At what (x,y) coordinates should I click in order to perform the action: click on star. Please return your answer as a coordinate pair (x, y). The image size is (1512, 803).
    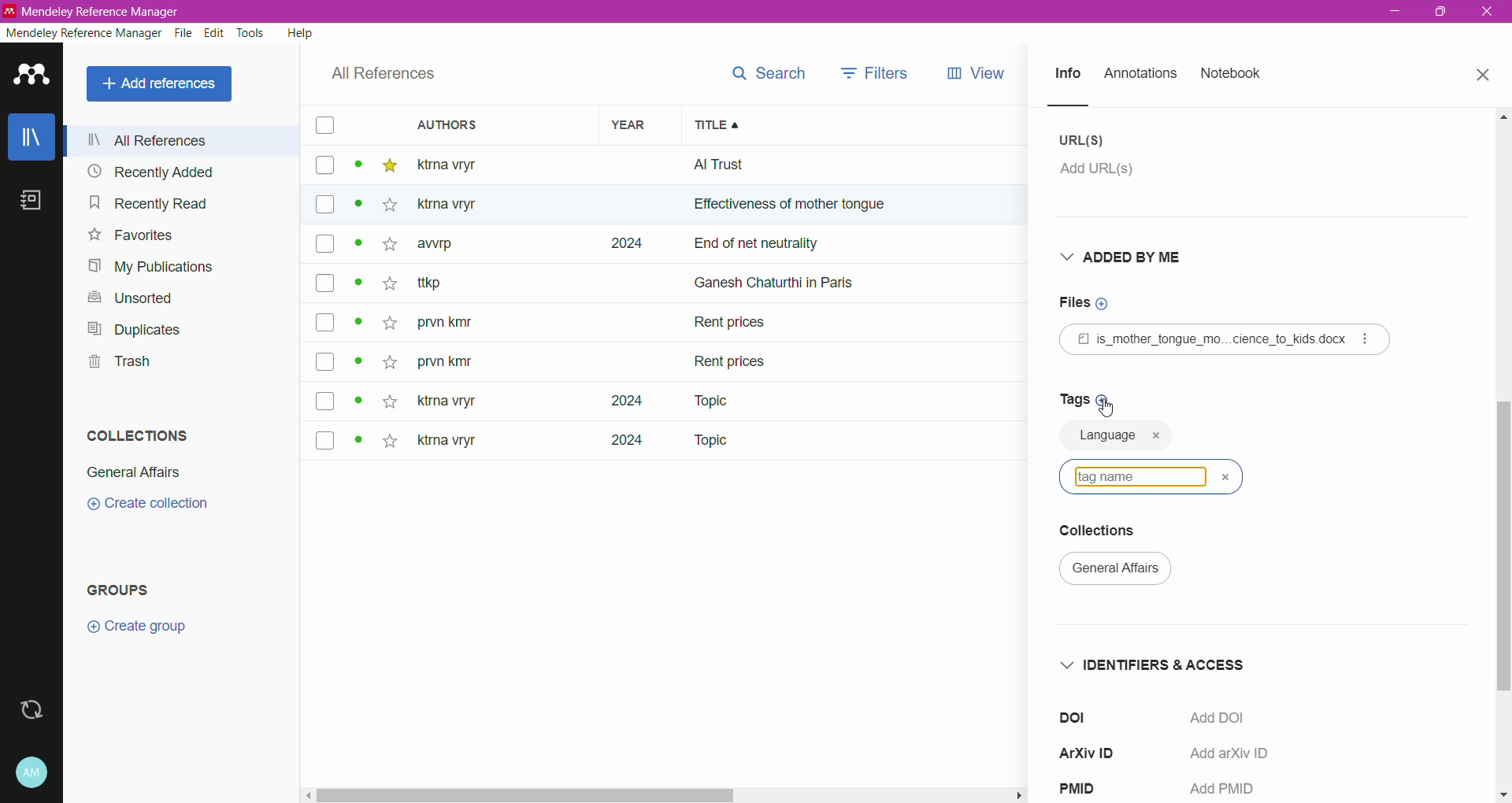
    Looking at the image, I should click on (387, 287).